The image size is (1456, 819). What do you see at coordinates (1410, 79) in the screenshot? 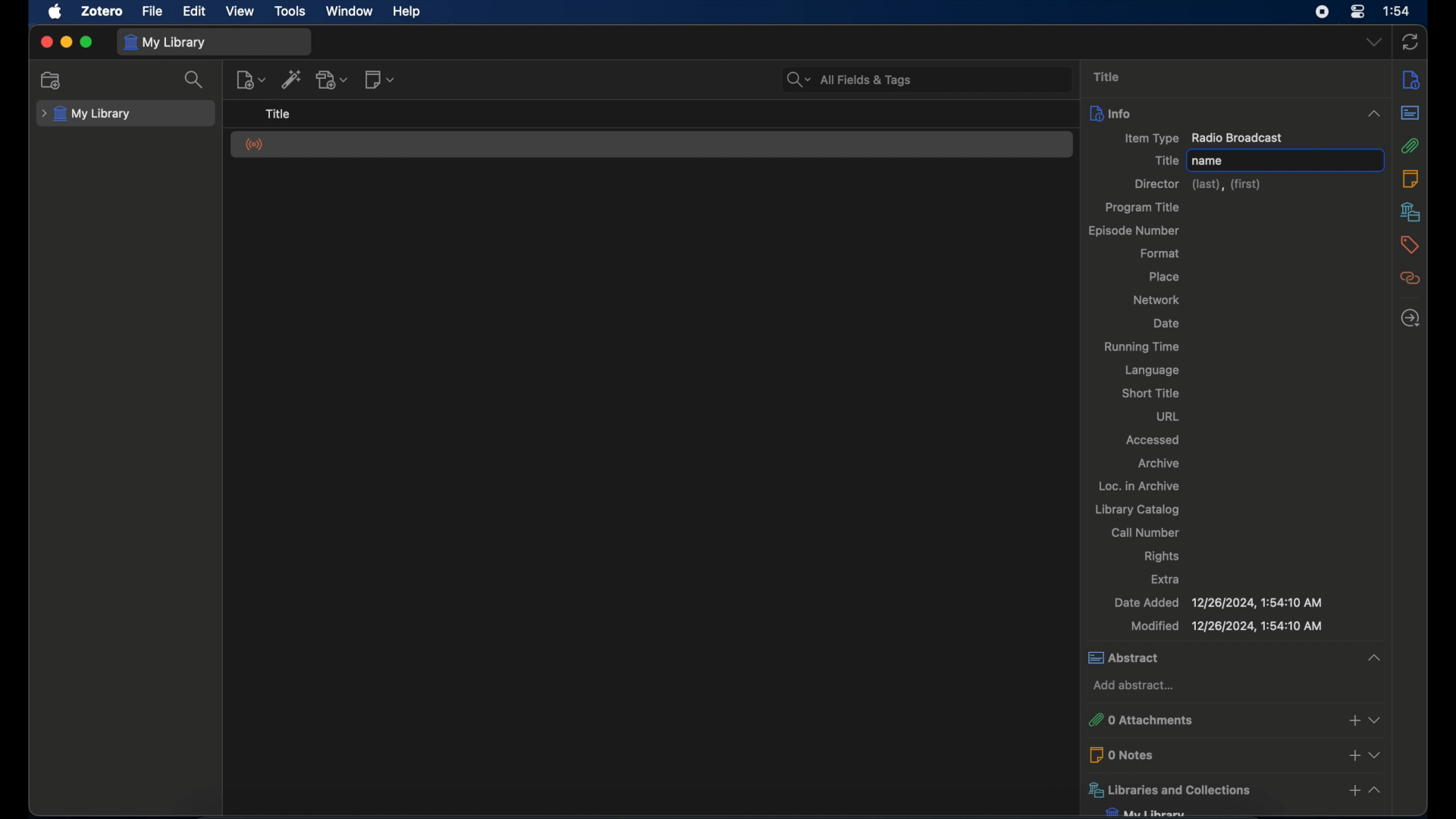
I see `info` at bounding box center [1410, 79].